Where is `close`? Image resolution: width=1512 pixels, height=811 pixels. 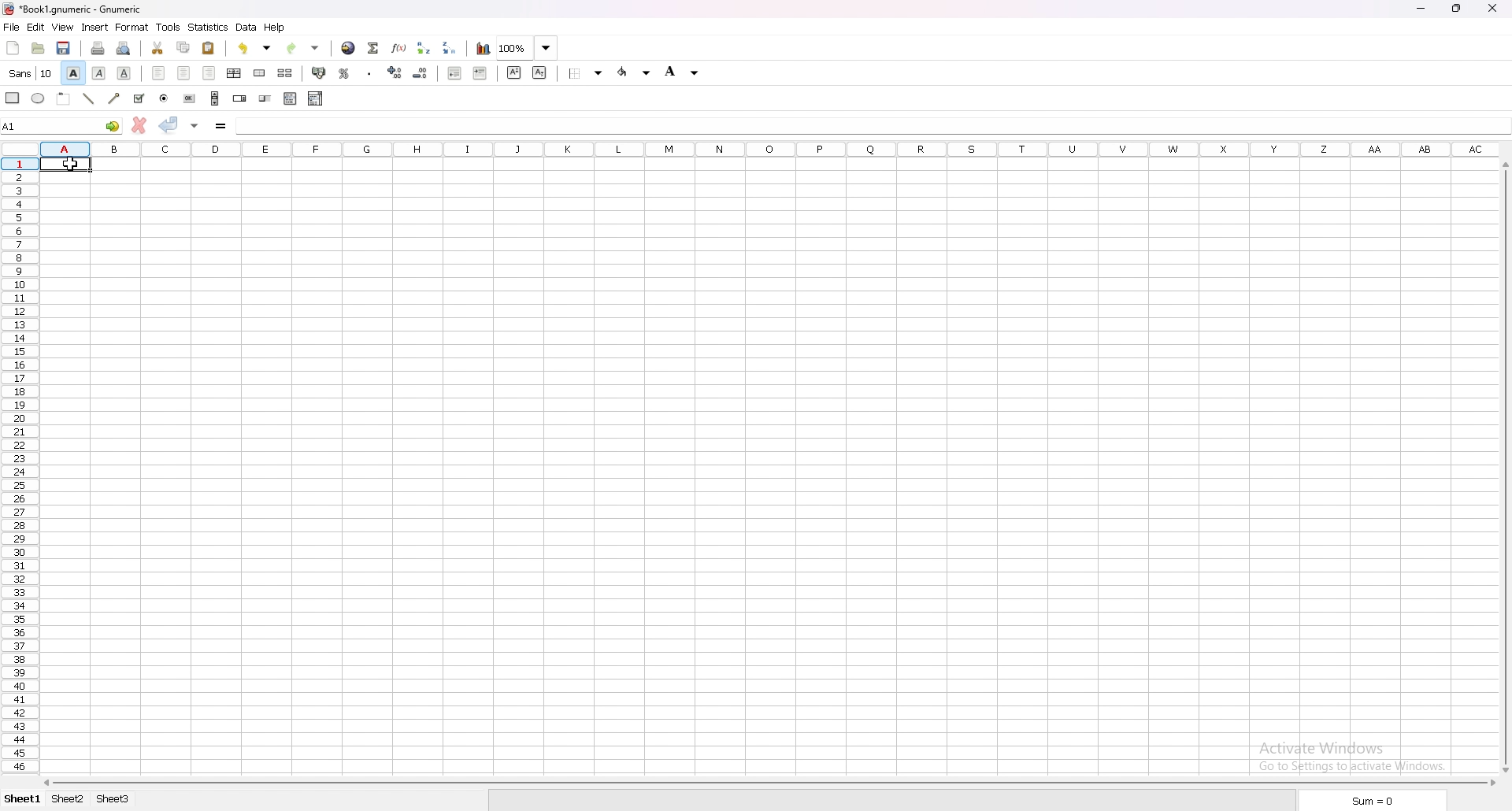 close is located at coordinates (1492, 7).